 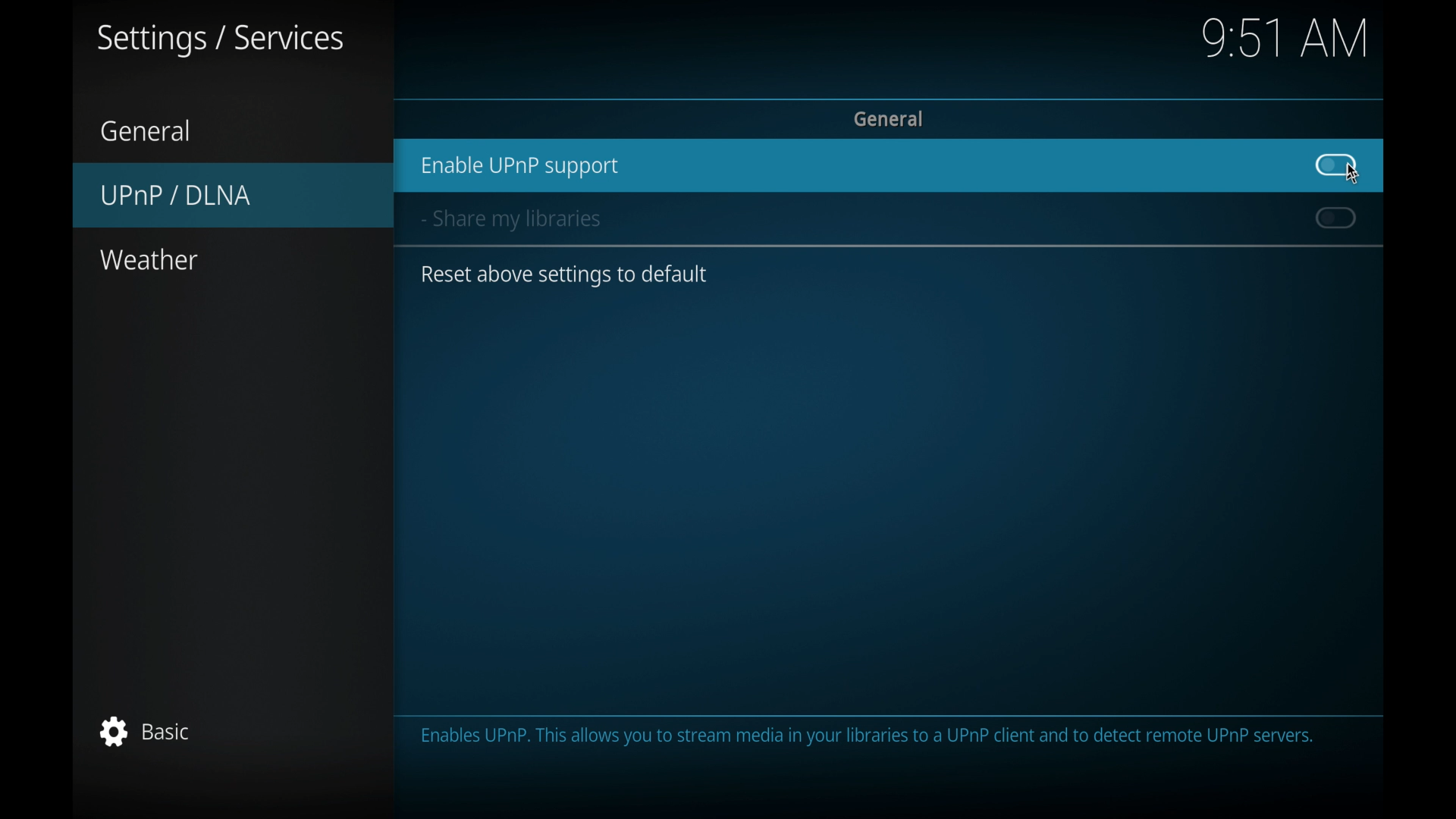 What do you see at coordinates (884, 748) in the screenshot?
I see `info` at bounding box center [884, 748].